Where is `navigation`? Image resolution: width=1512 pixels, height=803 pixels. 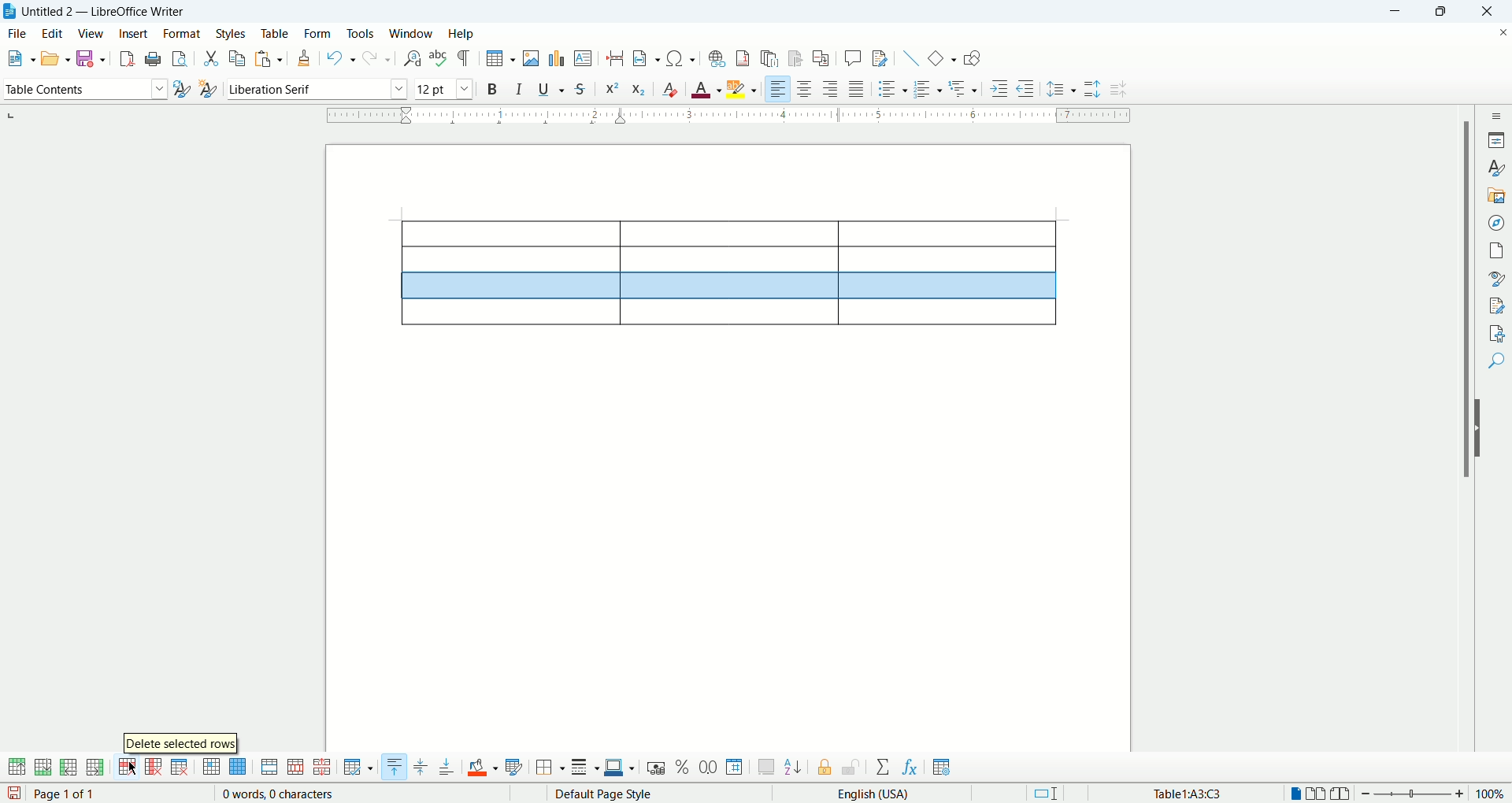
navigation is located at coordinates (1497, 224).